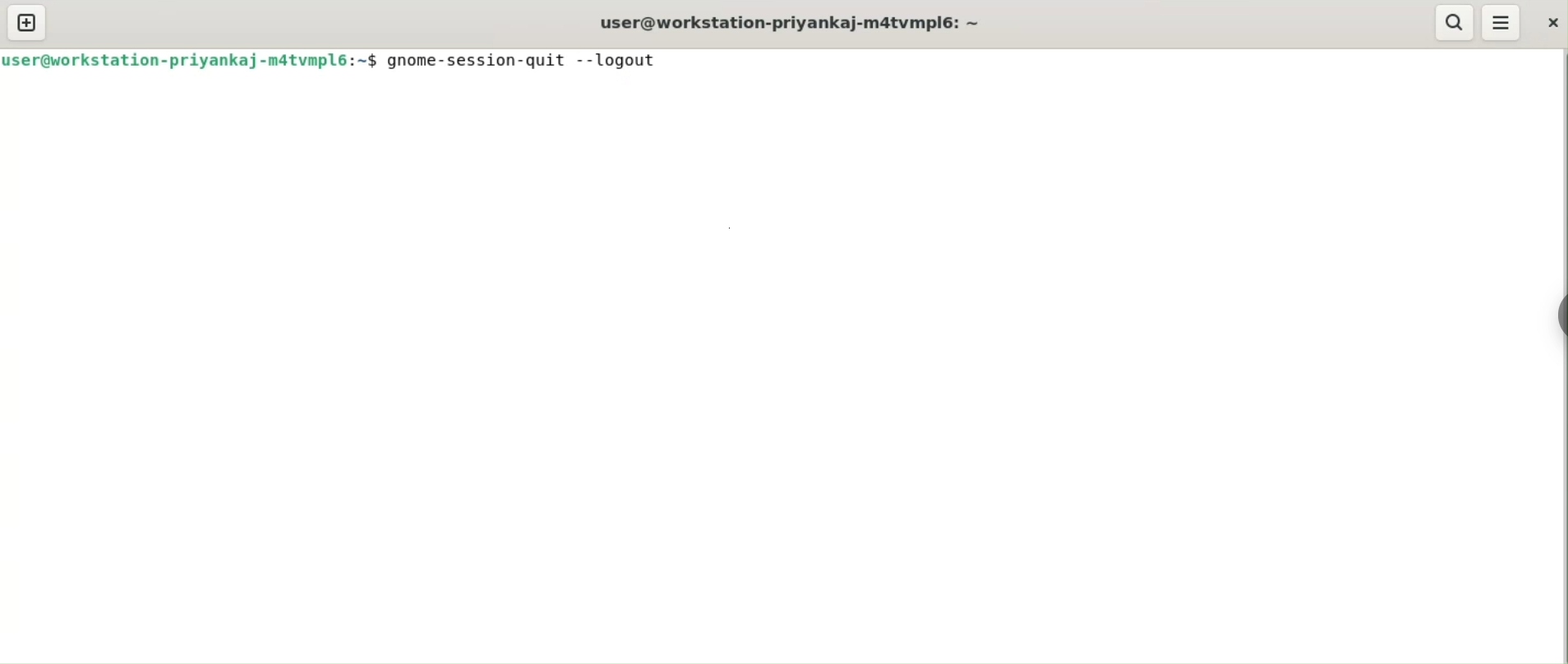 Image resolution: width=1568 pixels, height=664 pixels. What do you see at coordinates (1545, 21) in the screenshot?
I see `close` at bounding box center [1545, 21].